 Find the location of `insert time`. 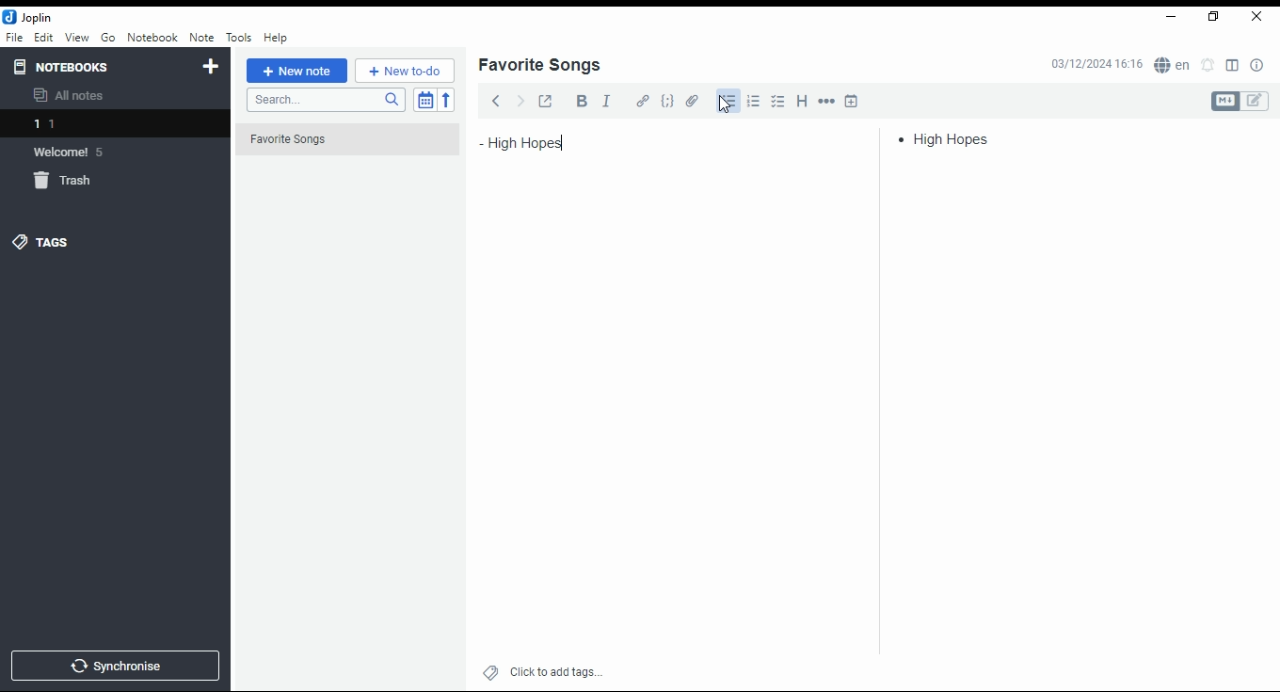

insert time is located at coordinates (852, 100).